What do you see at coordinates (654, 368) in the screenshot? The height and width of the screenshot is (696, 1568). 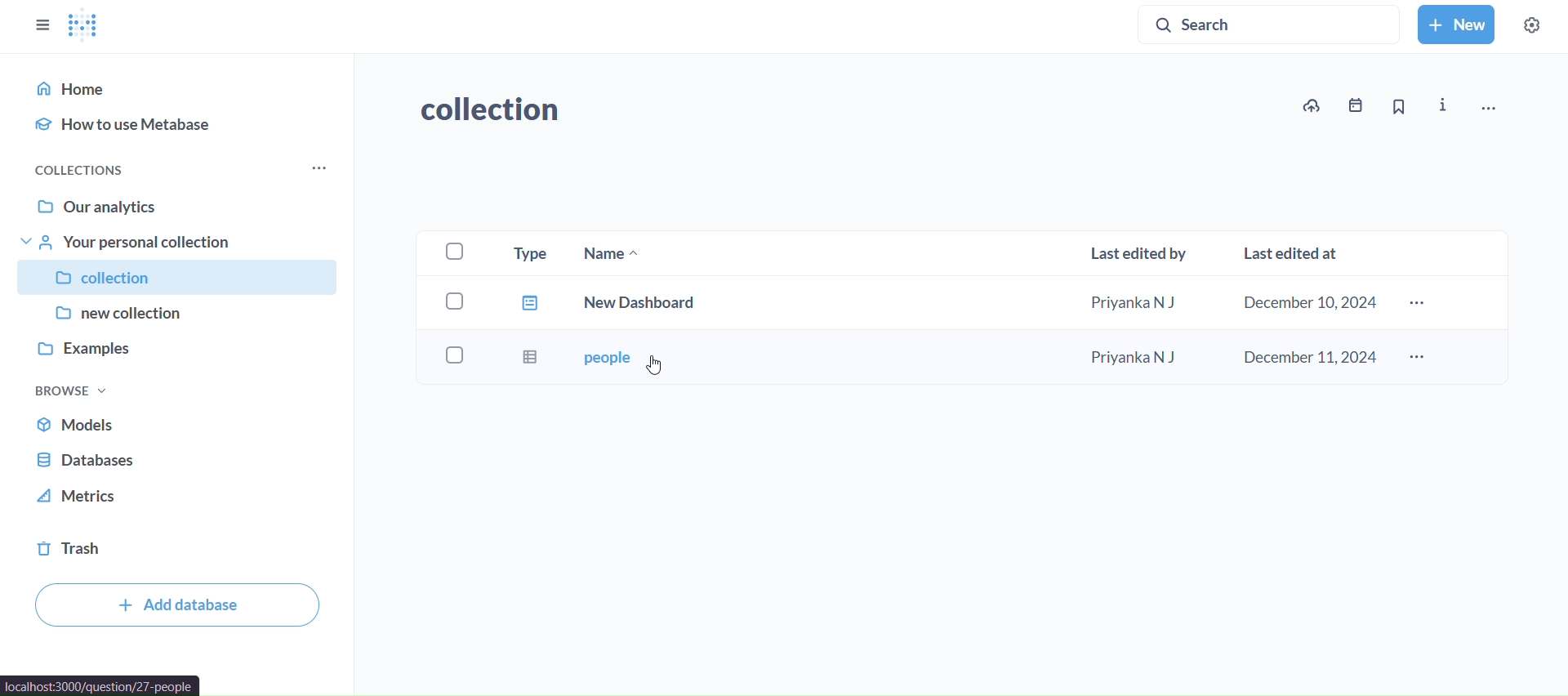 I see `cursor` at bounding box center [654, 368].